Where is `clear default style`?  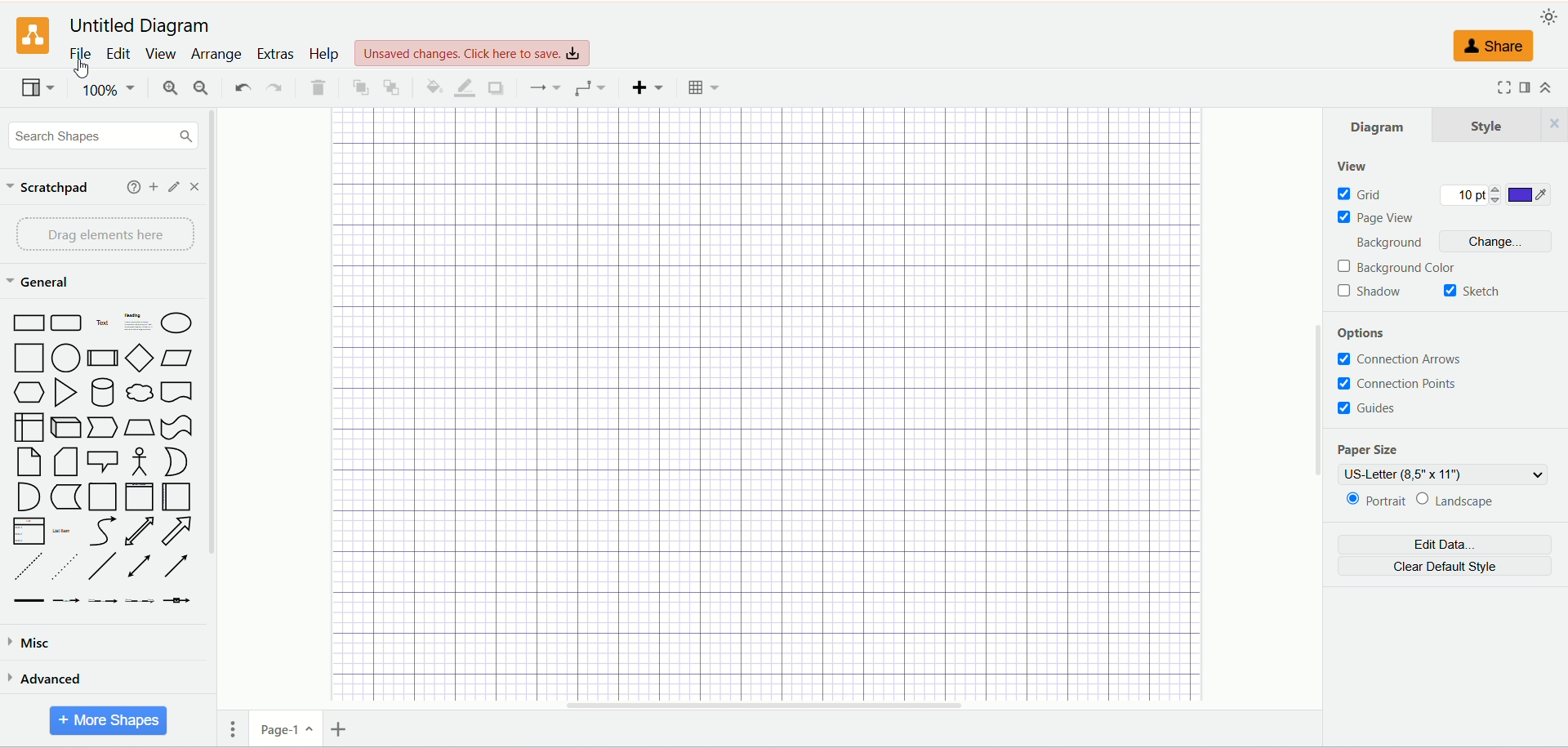
clear default style is located at coordinates (1444, 568).